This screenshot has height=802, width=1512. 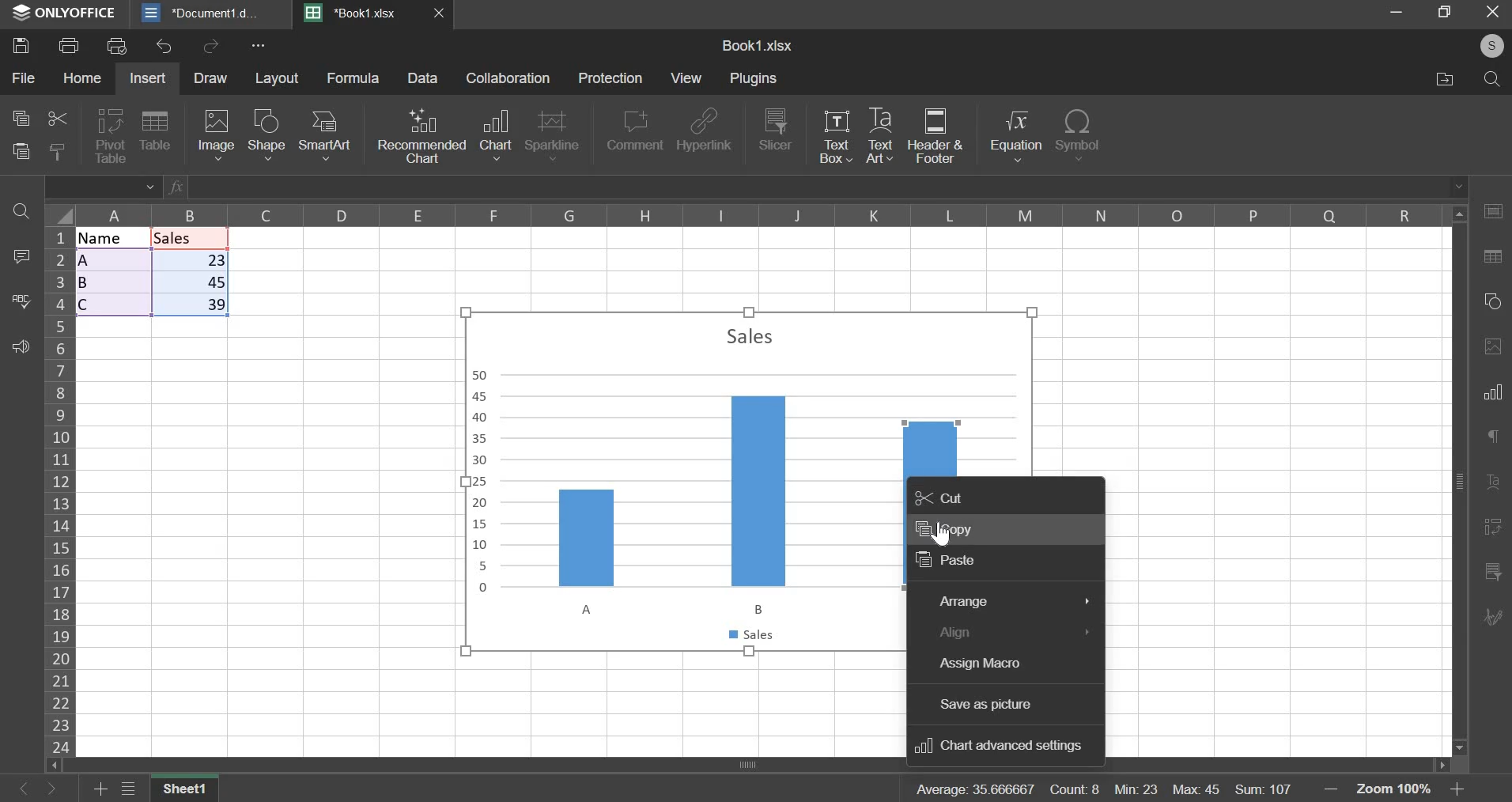 I want to click on columns, so click(x=745, y=213).